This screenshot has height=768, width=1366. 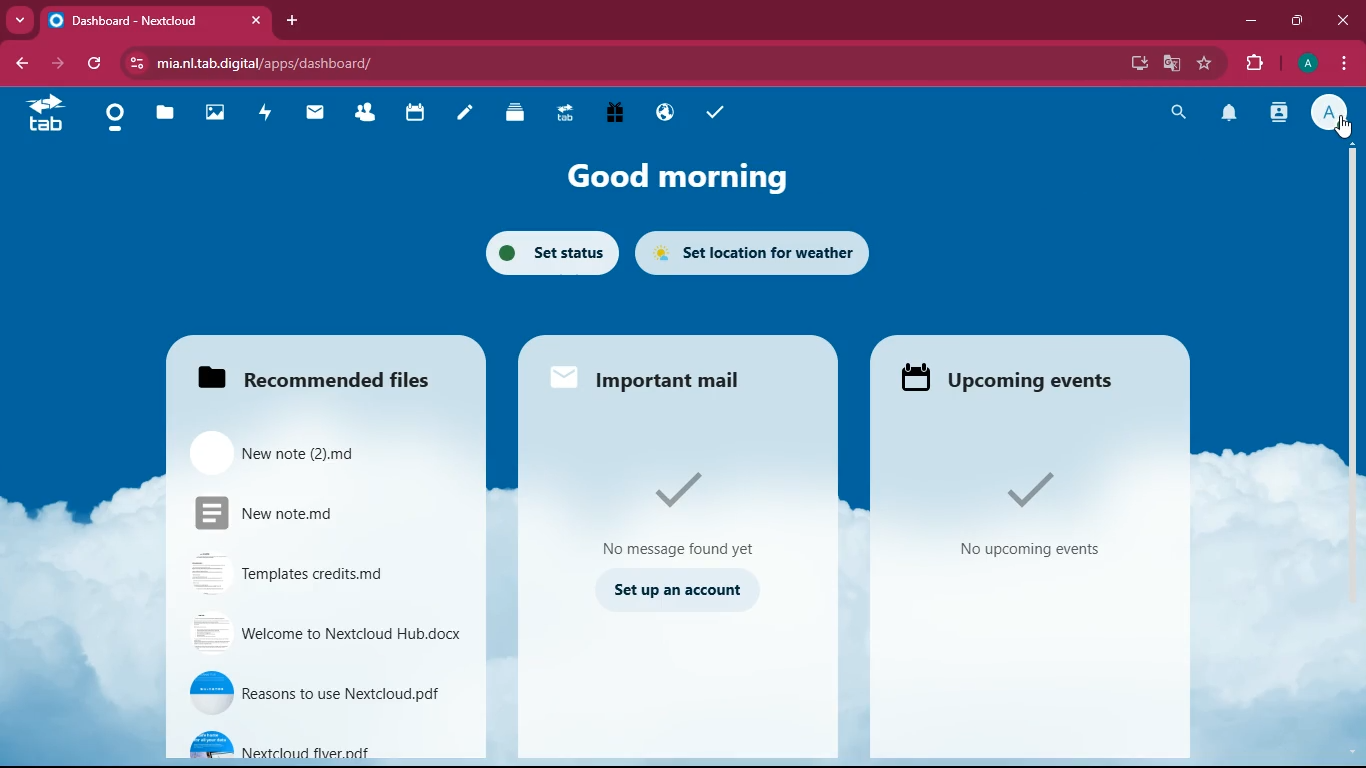 I want to click on Deck, so click(x=511, y=114).